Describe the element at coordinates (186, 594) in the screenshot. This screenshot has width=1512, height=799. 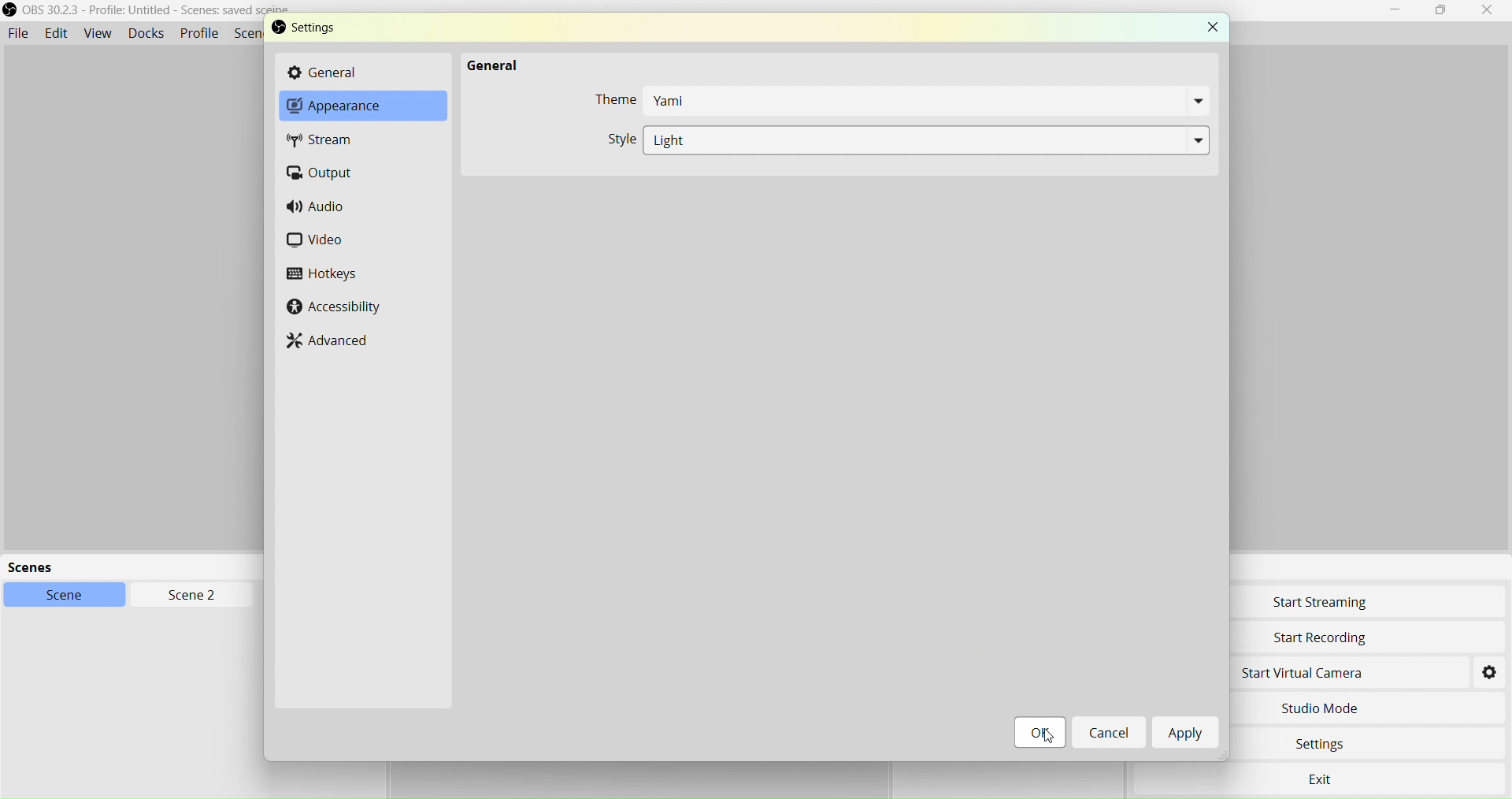
I see `Scene2` at that location.